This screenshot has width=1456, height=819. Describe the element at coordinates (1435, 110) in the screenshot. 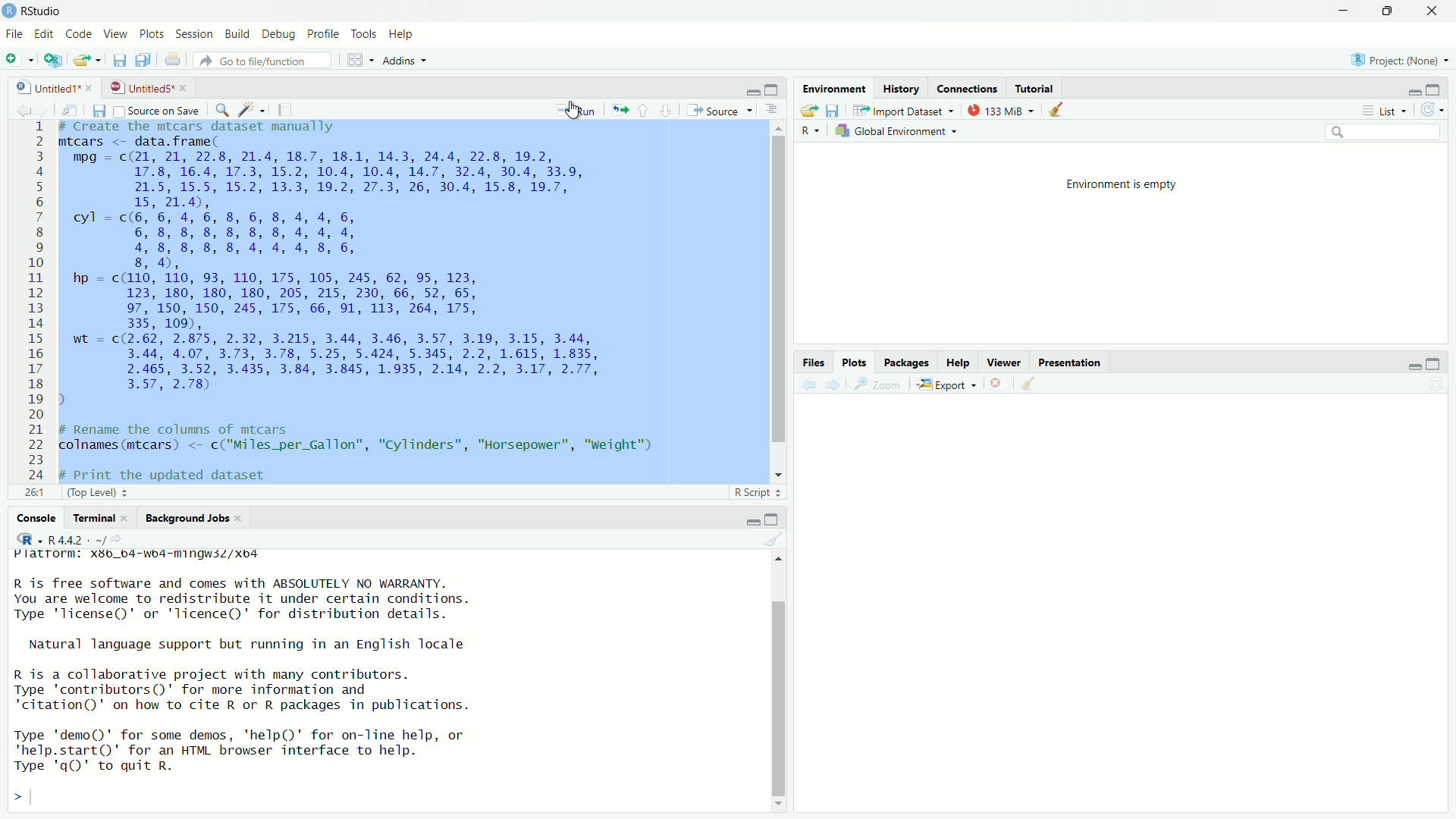

I see `refresh` at that location.